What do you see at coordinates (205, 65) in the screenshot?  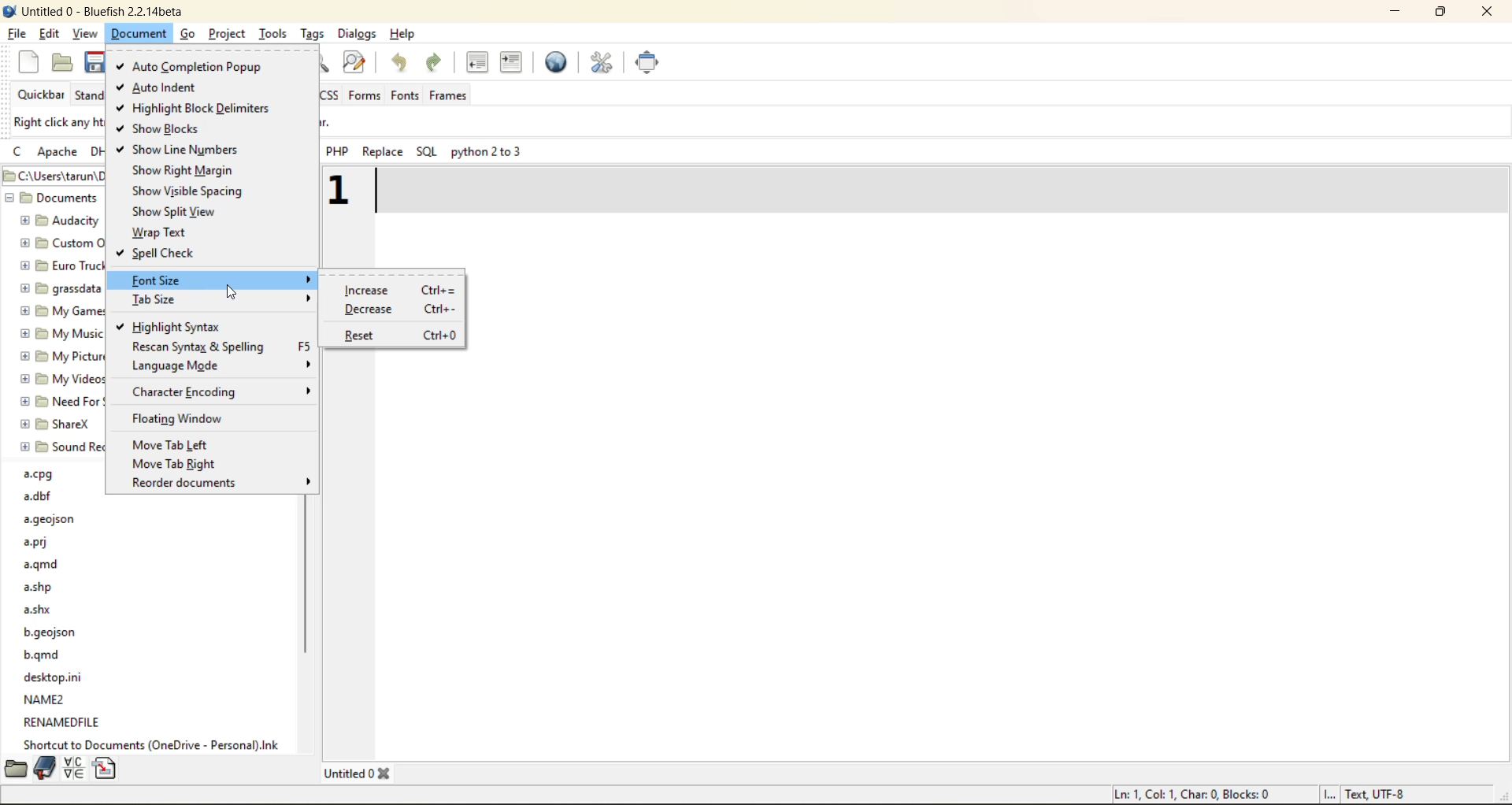 I see `auto completion popup` at bounding box center [205, 65].